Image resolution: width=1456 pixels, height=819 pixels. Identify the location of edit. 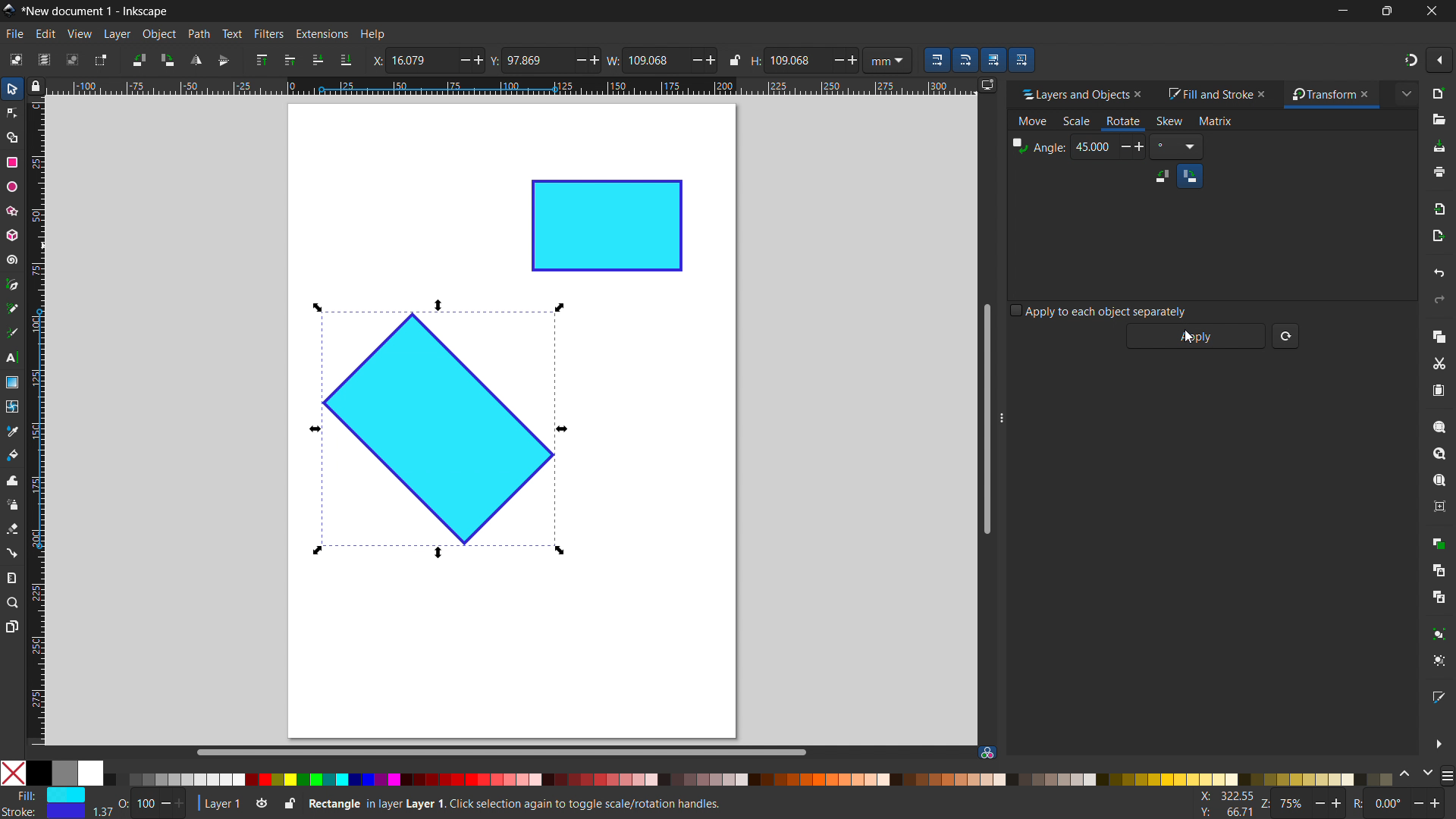
(45, 34).